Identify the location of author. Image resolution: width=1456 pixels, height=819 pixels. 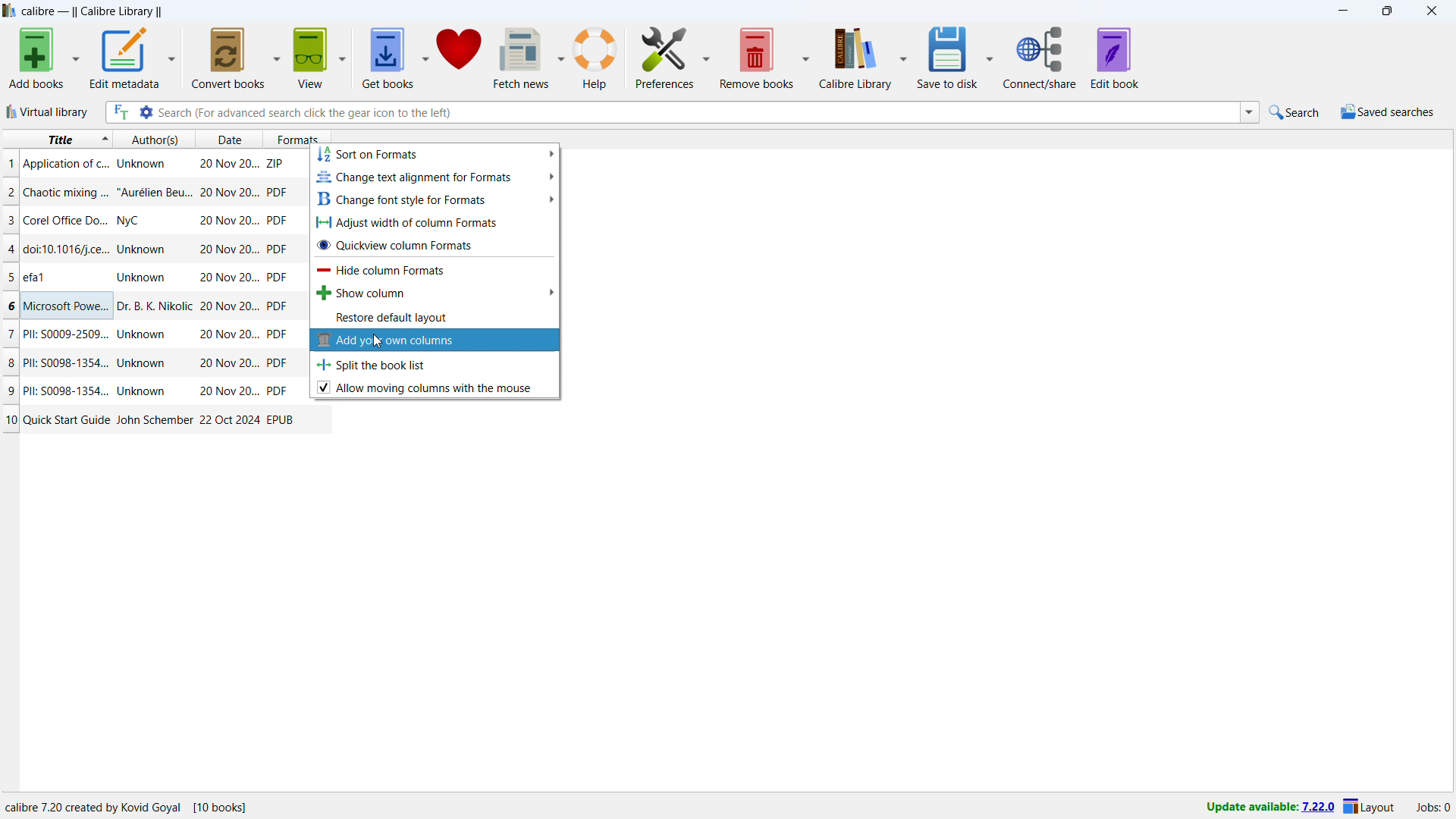
(143, 164).